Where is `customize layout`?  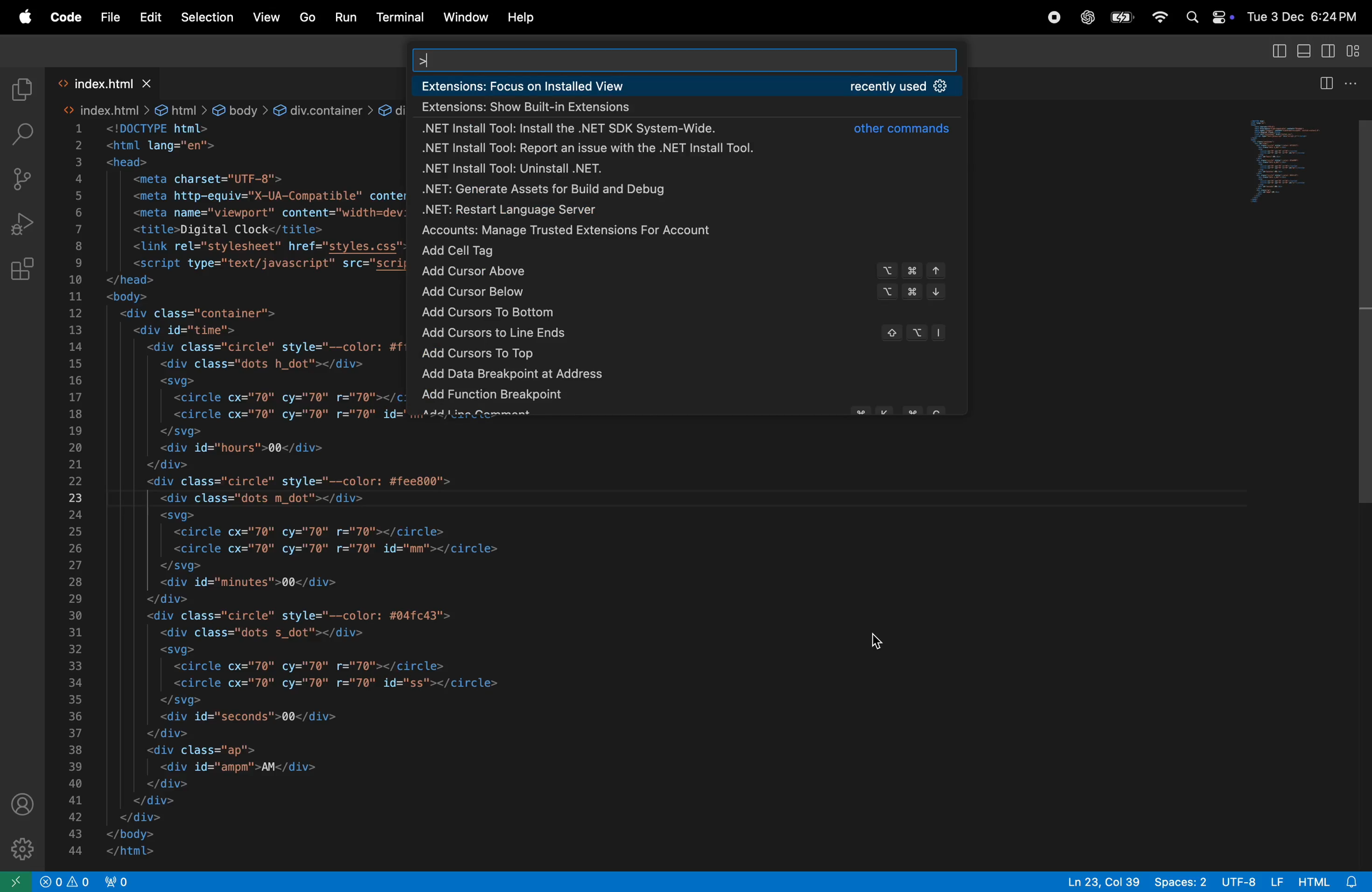
customize layout is located at coordinates (1357, 51).